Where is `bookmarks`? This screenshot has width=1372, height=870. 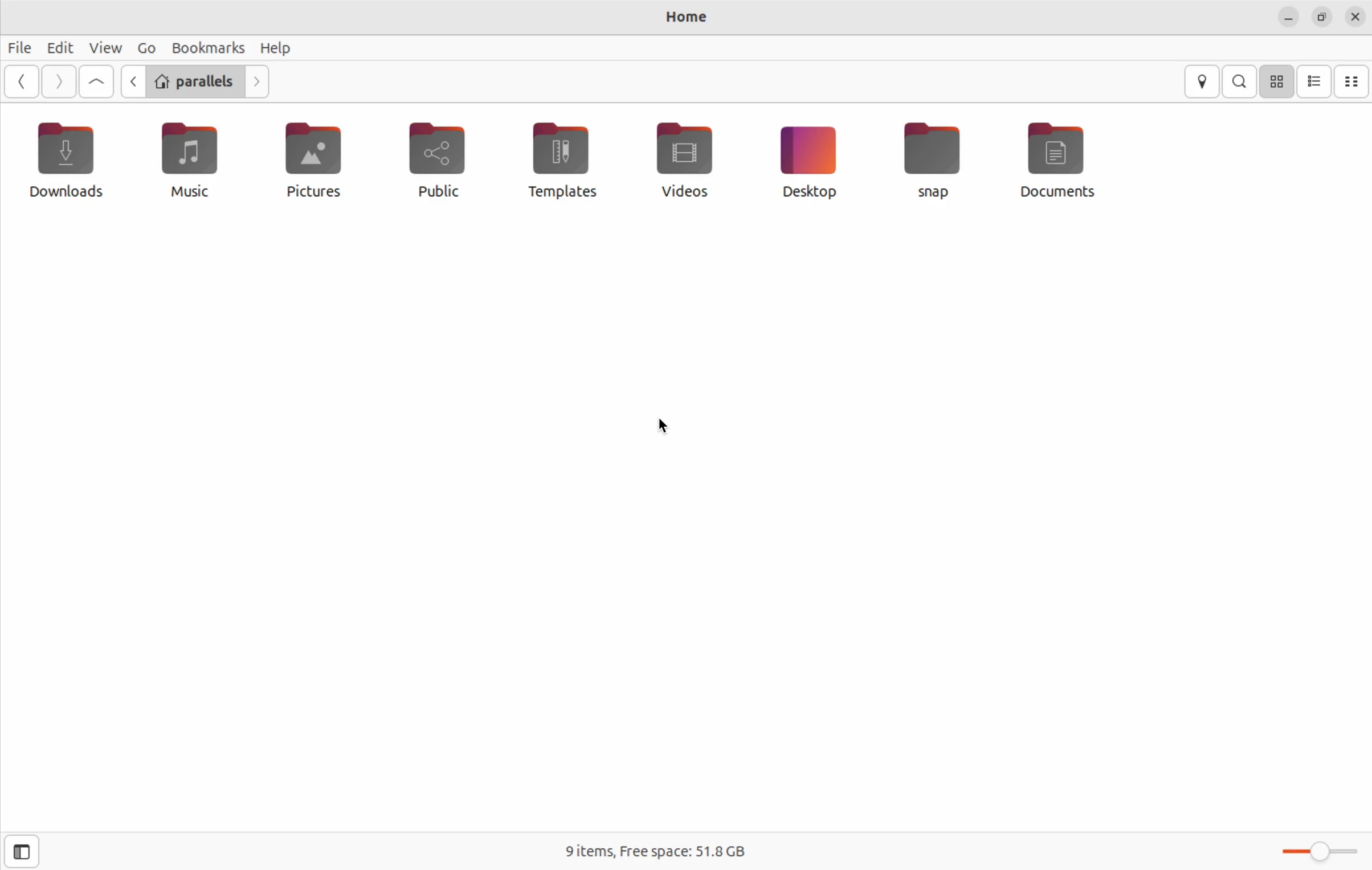 bookmarks is located at coordinates (207, 47).